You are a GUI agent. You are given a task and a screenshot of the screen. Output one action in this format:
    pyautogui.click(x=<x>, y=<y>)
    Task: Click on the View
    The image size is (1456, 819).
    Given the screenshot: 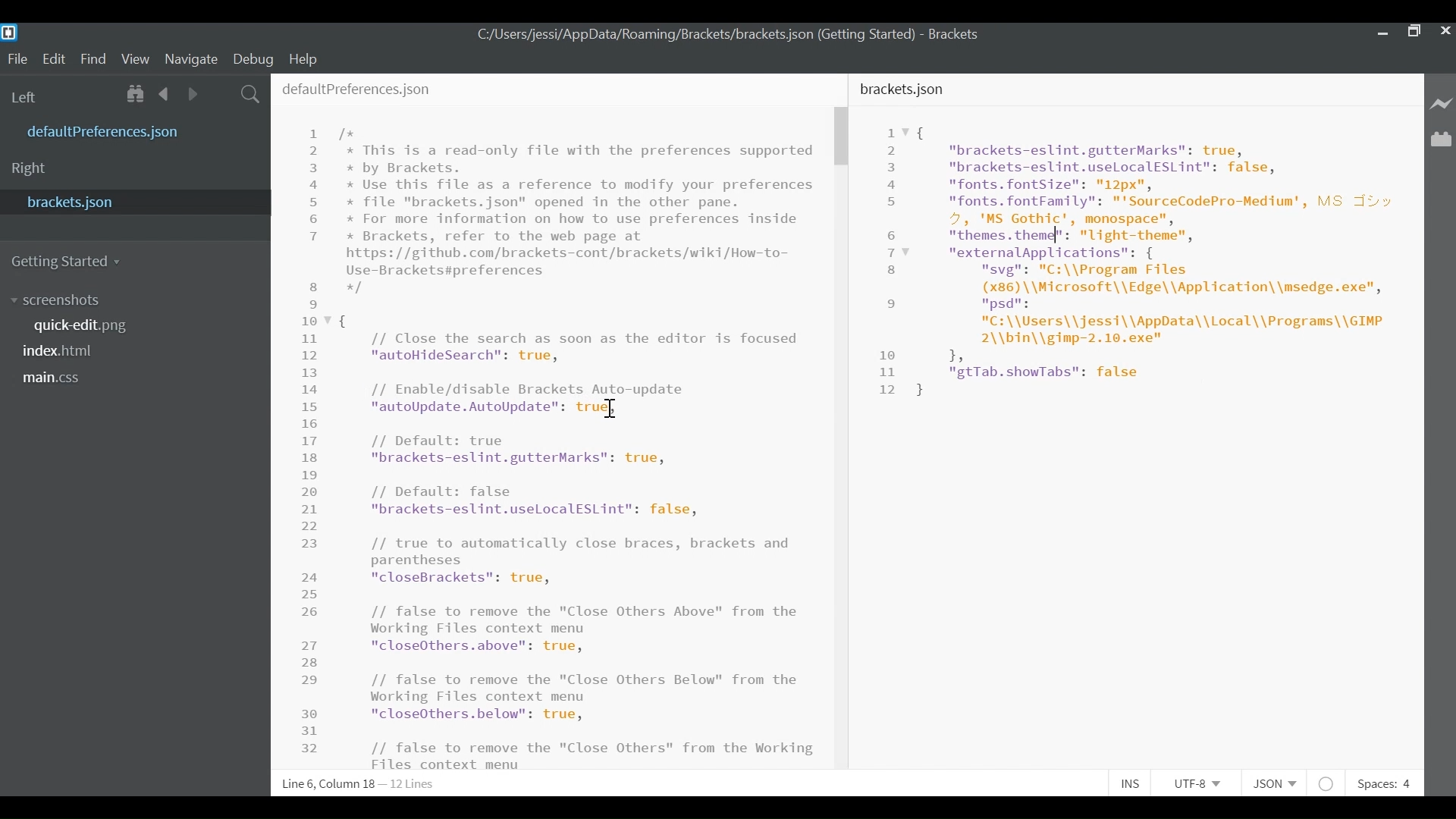 What is the action you would take?
    pyautogui.click(x=136, y=58)
    